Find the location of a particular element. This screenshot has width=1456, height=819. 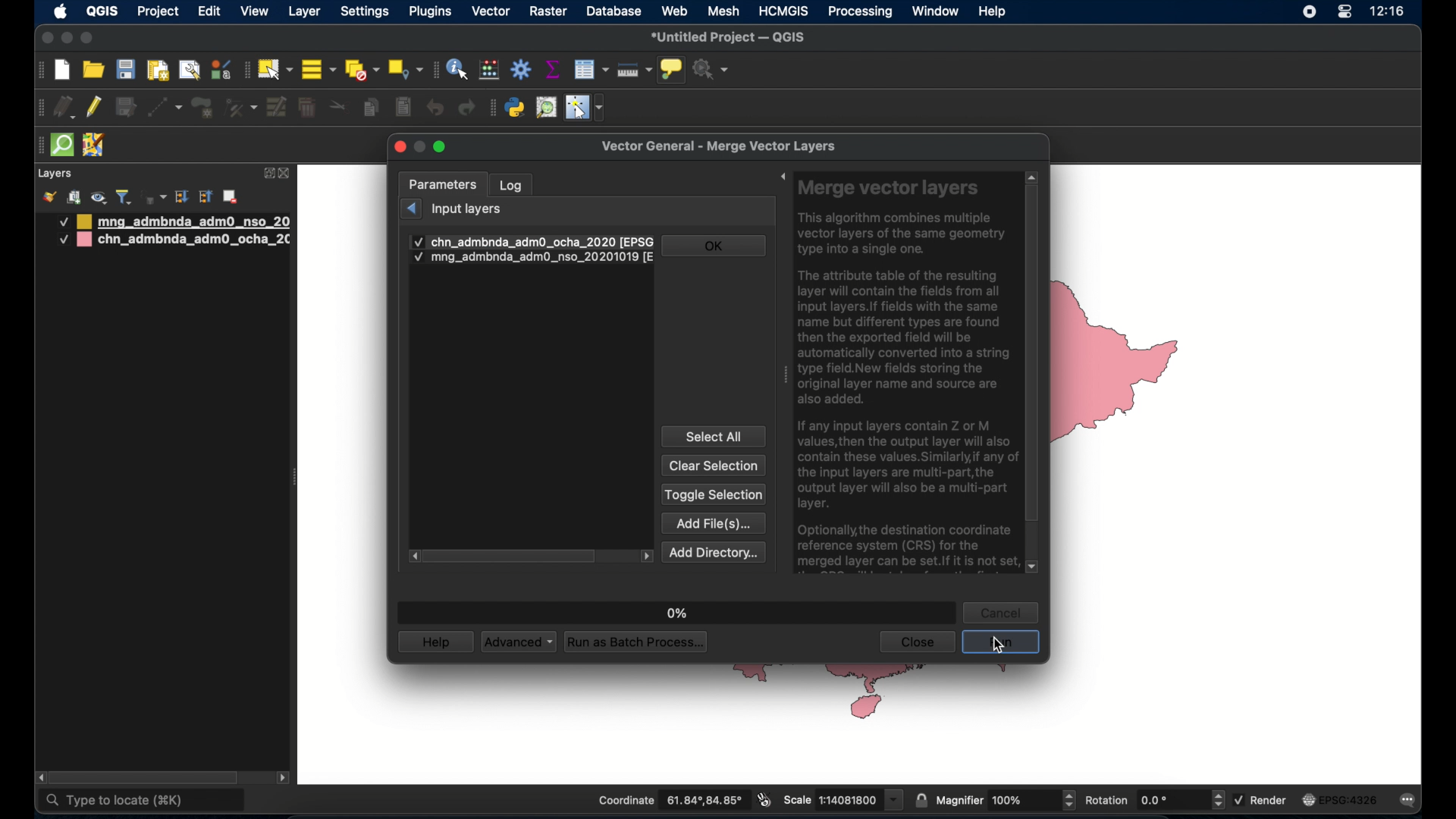

scroll box is located at coordinates (511, 557).